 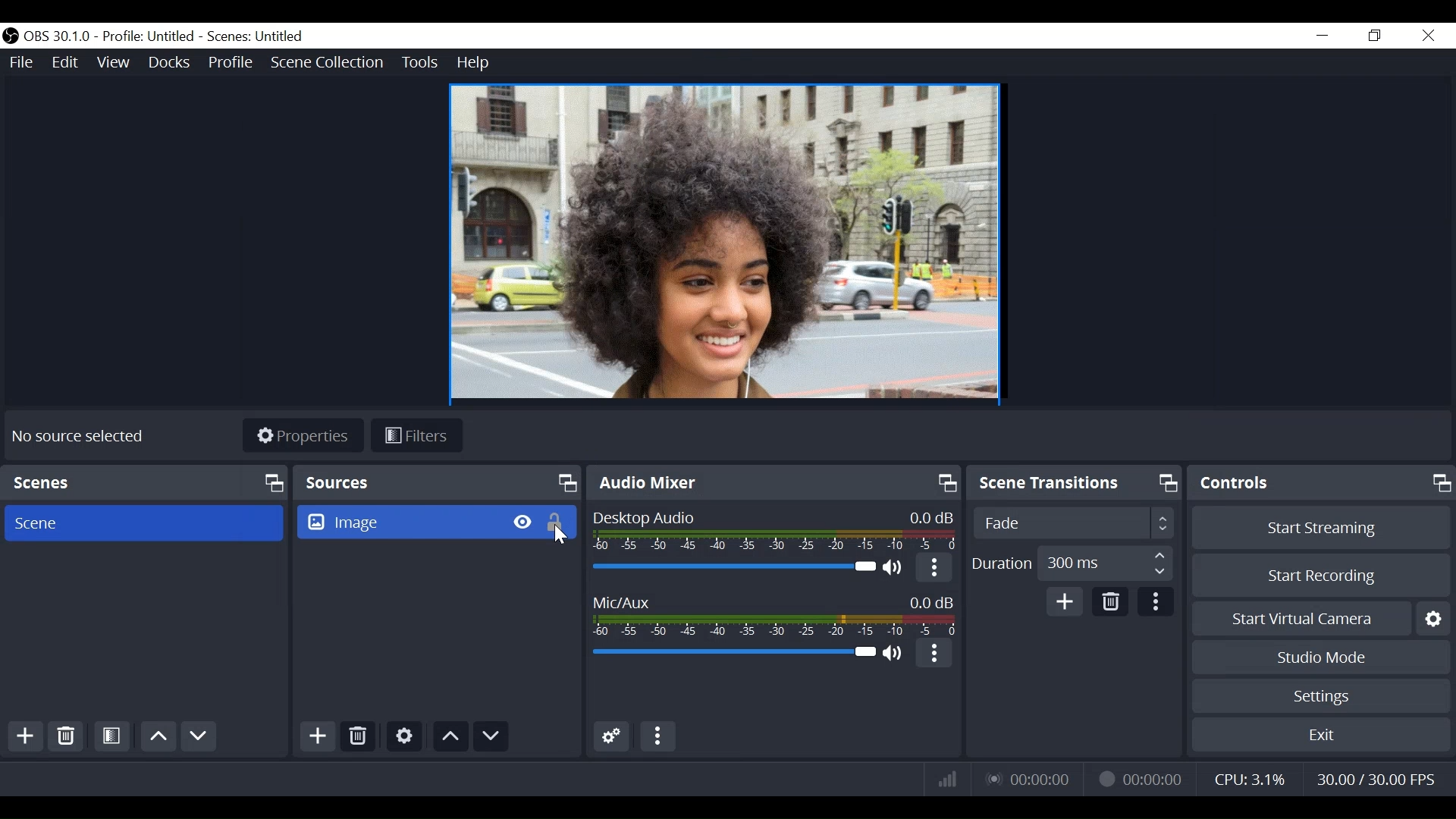 I want to click on 30.00/ 30.00 FPS, so click(x=1379, y=779).